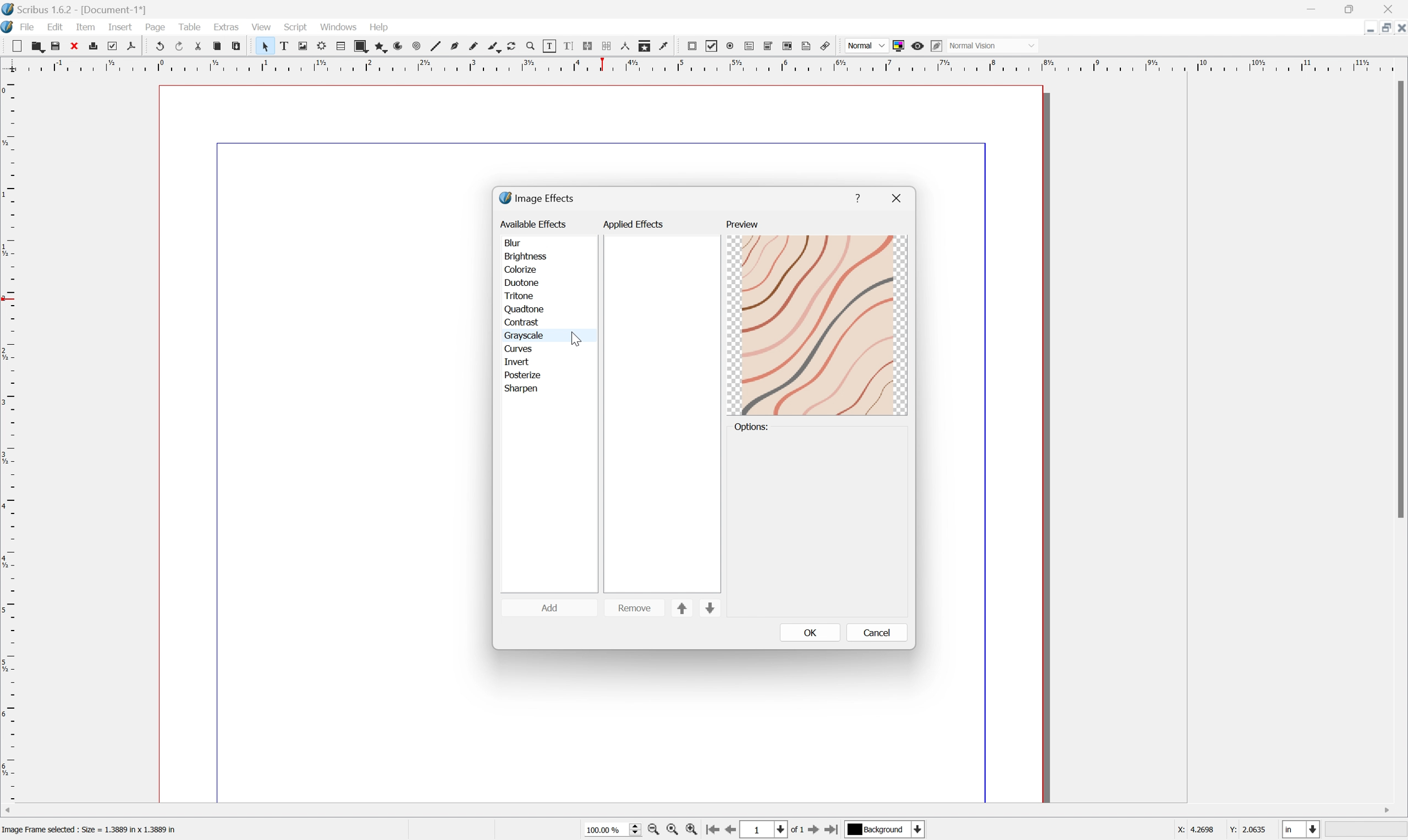  What do you see at coordinates (523, 322) in the screenshot?
I see `contrast` at bounding box center [523, 322].